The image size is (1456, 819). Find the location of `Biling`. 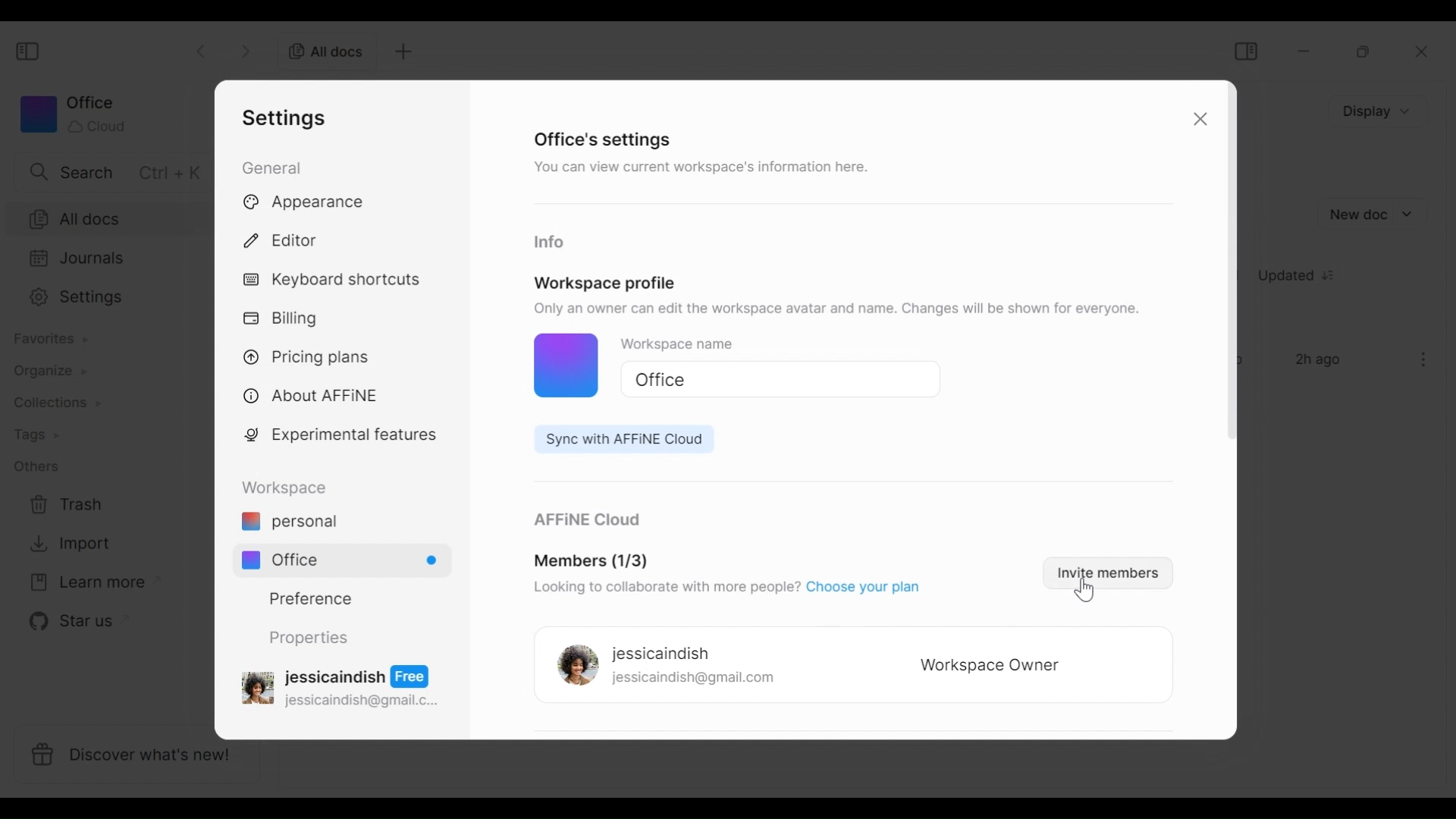

Biling is located at coordinates (284, 319).